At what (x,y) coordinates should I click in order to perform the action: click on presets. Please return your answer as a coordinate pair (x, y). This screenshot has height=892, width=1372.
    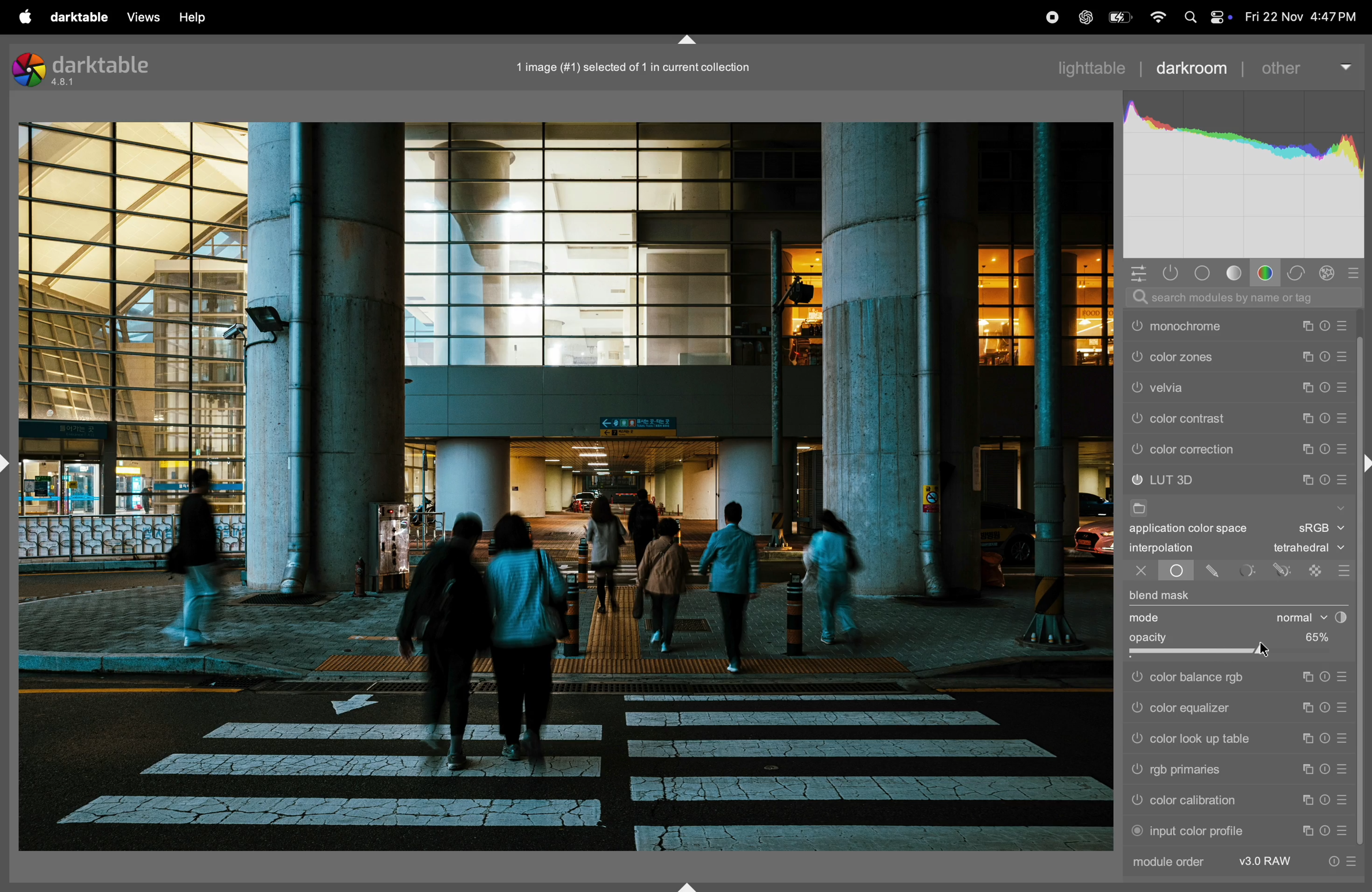
    Looking at the image, I should click on (1343, 417).